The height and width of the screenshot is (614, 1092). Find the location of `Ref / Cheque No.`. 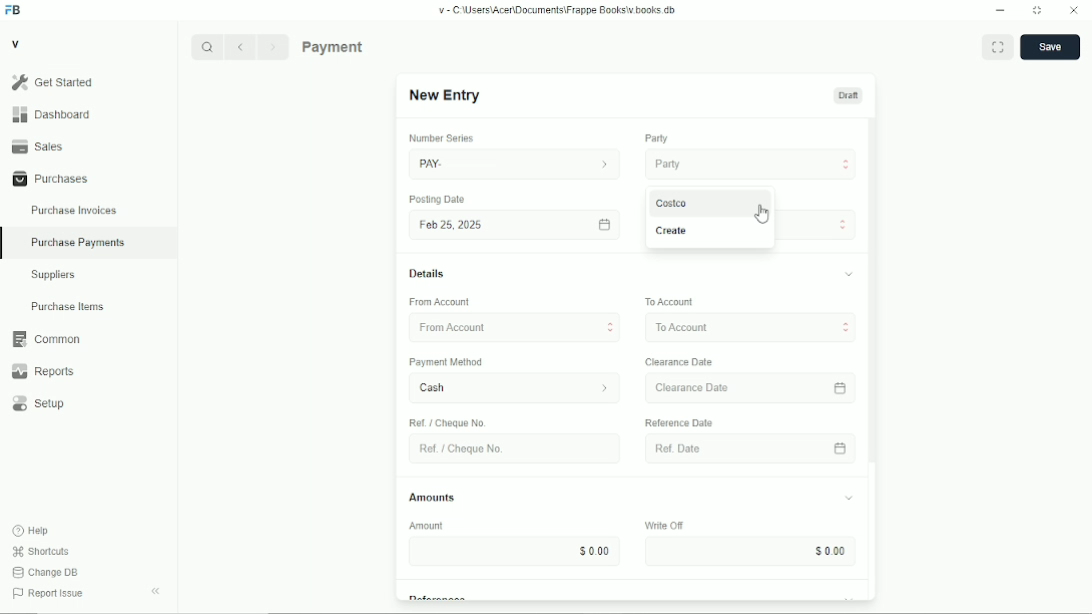

Ref / Cheque No. is located at coordinates (450, 422).